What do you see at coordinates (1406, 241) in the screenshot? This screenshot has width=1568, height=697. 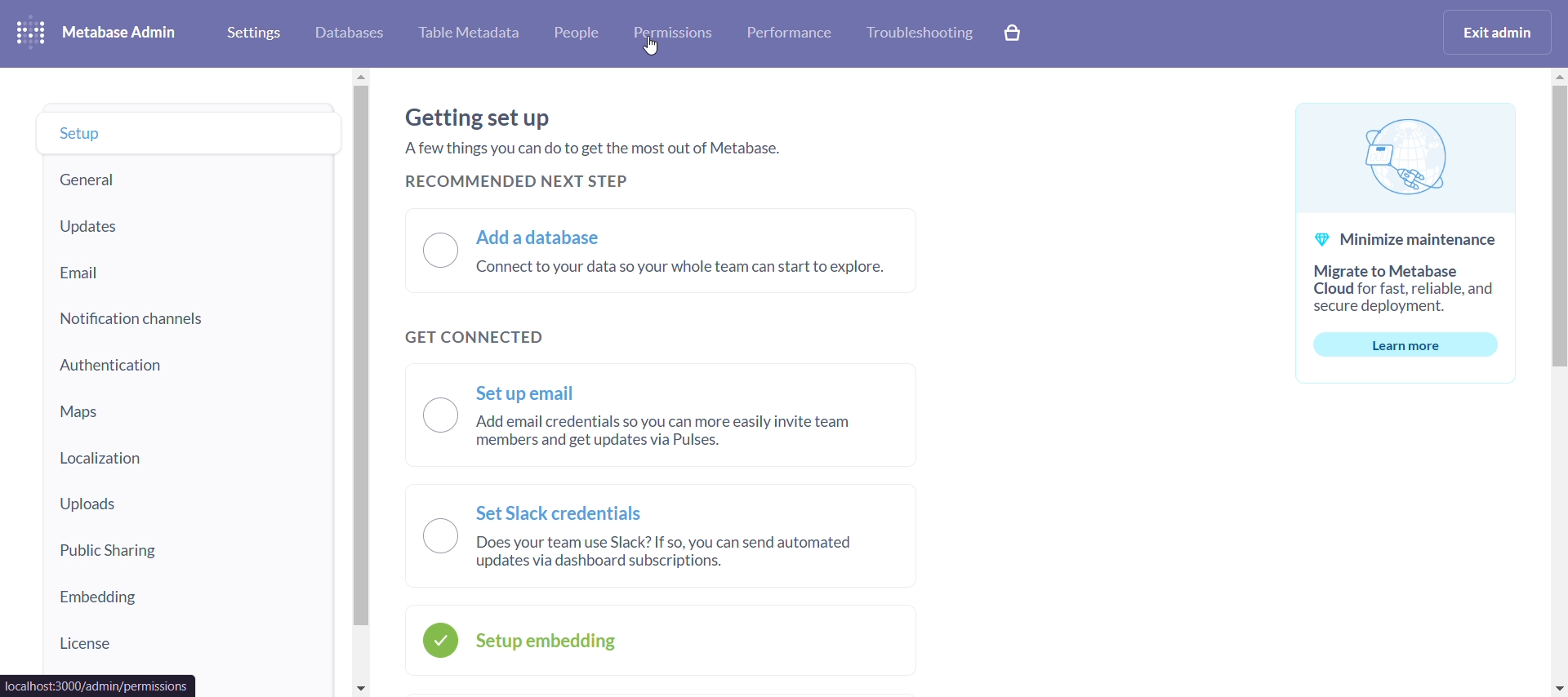 I see `minimize maintenance` at bounding box center [1406, 241].